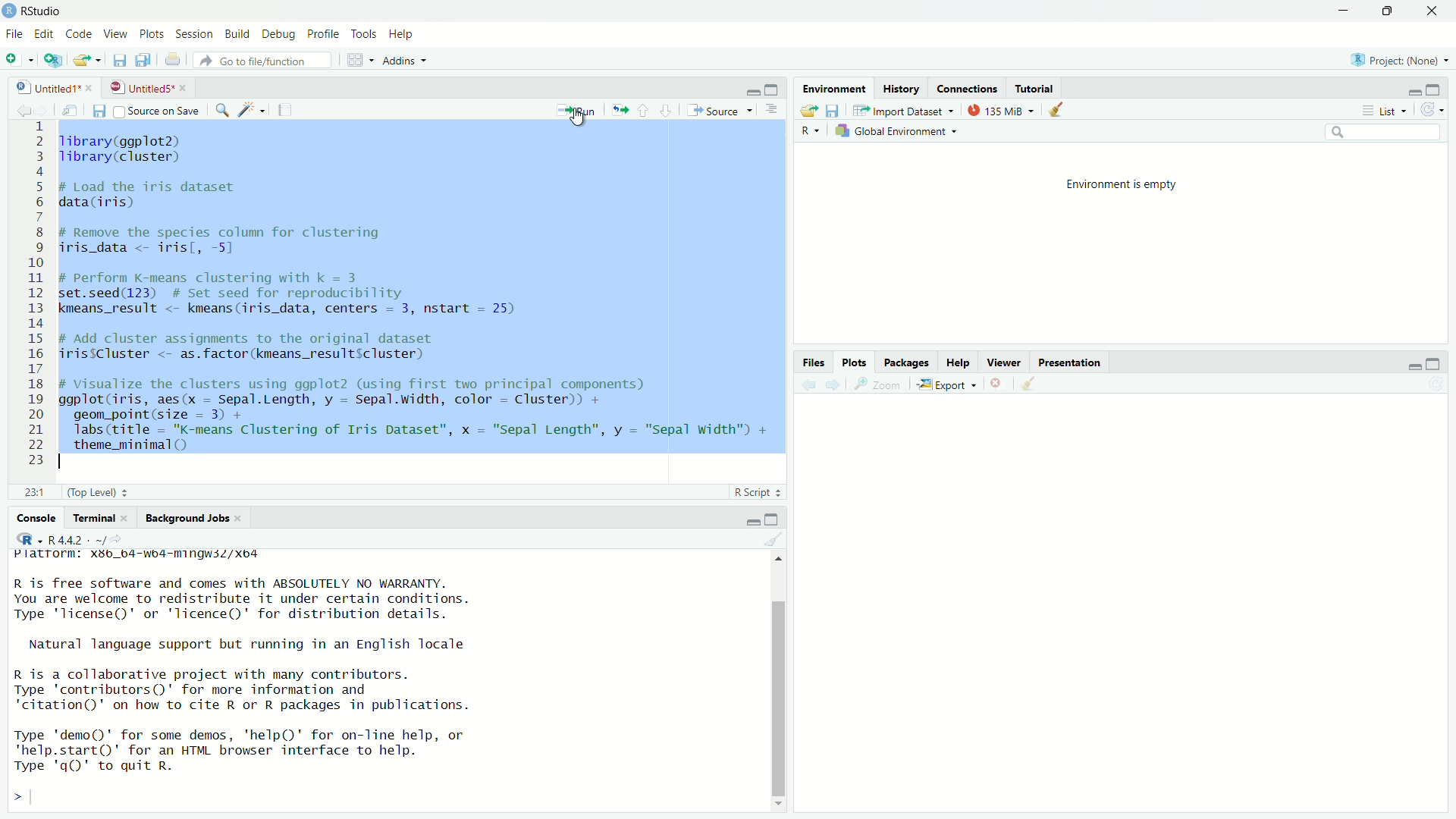 The width and height of the screenshot is (1456, 819). Describe the element at coordinates (750, 519) in the screenshot. I see `minimize` at that location.